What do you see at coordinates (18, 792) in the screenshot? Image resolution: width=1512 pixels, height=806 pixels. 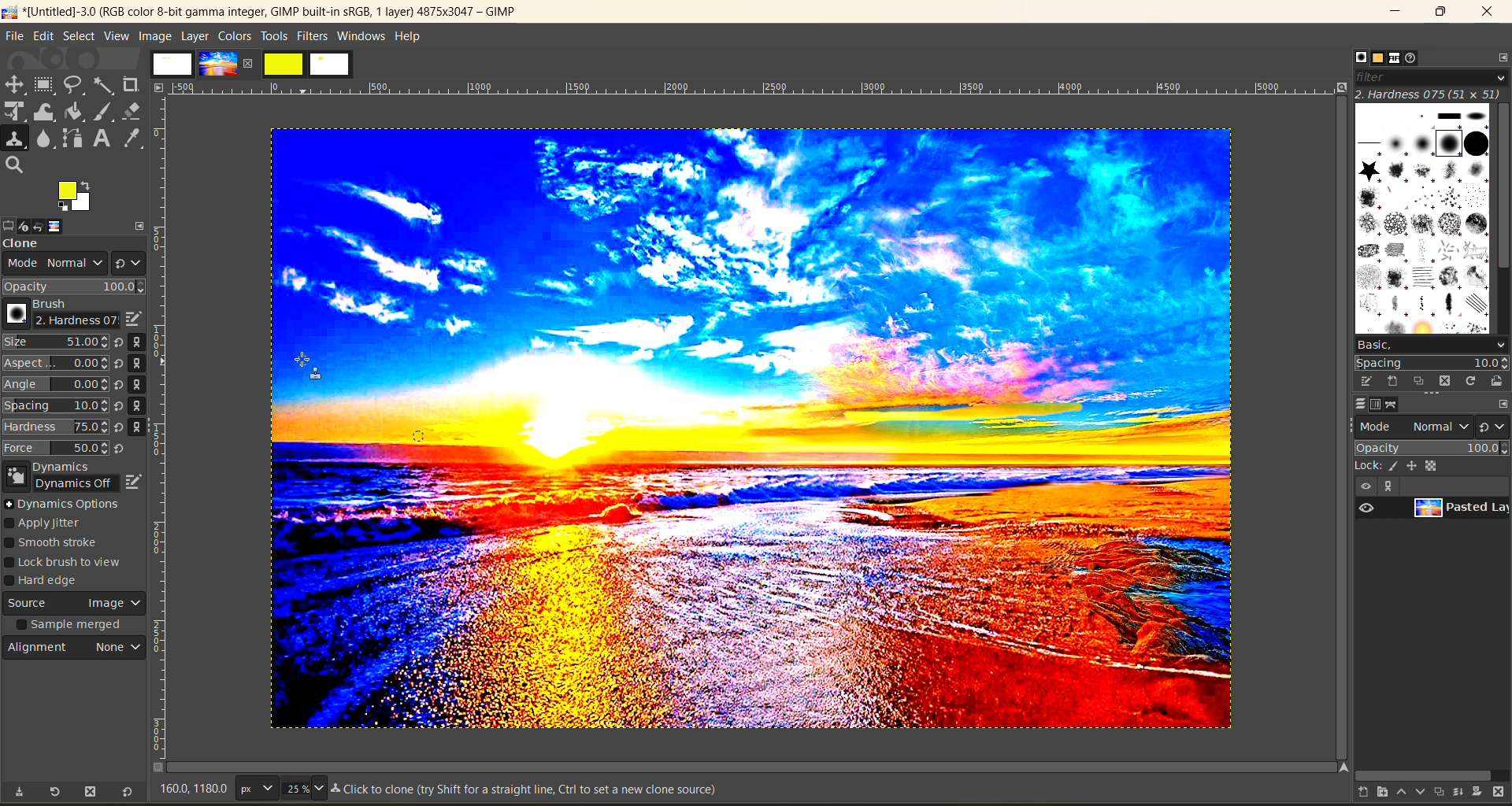 I see `save tool preset` at bounding box center [18, 792].